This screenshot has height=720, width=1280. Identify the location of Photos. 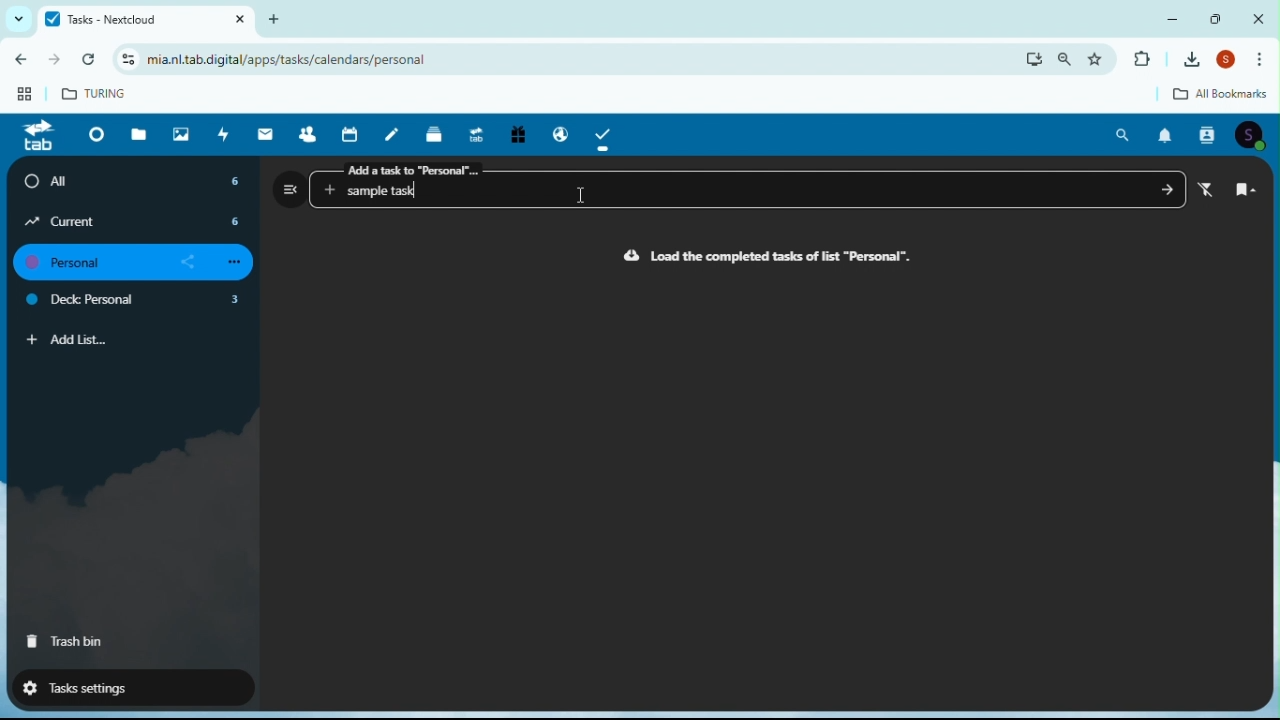
(181, 133).